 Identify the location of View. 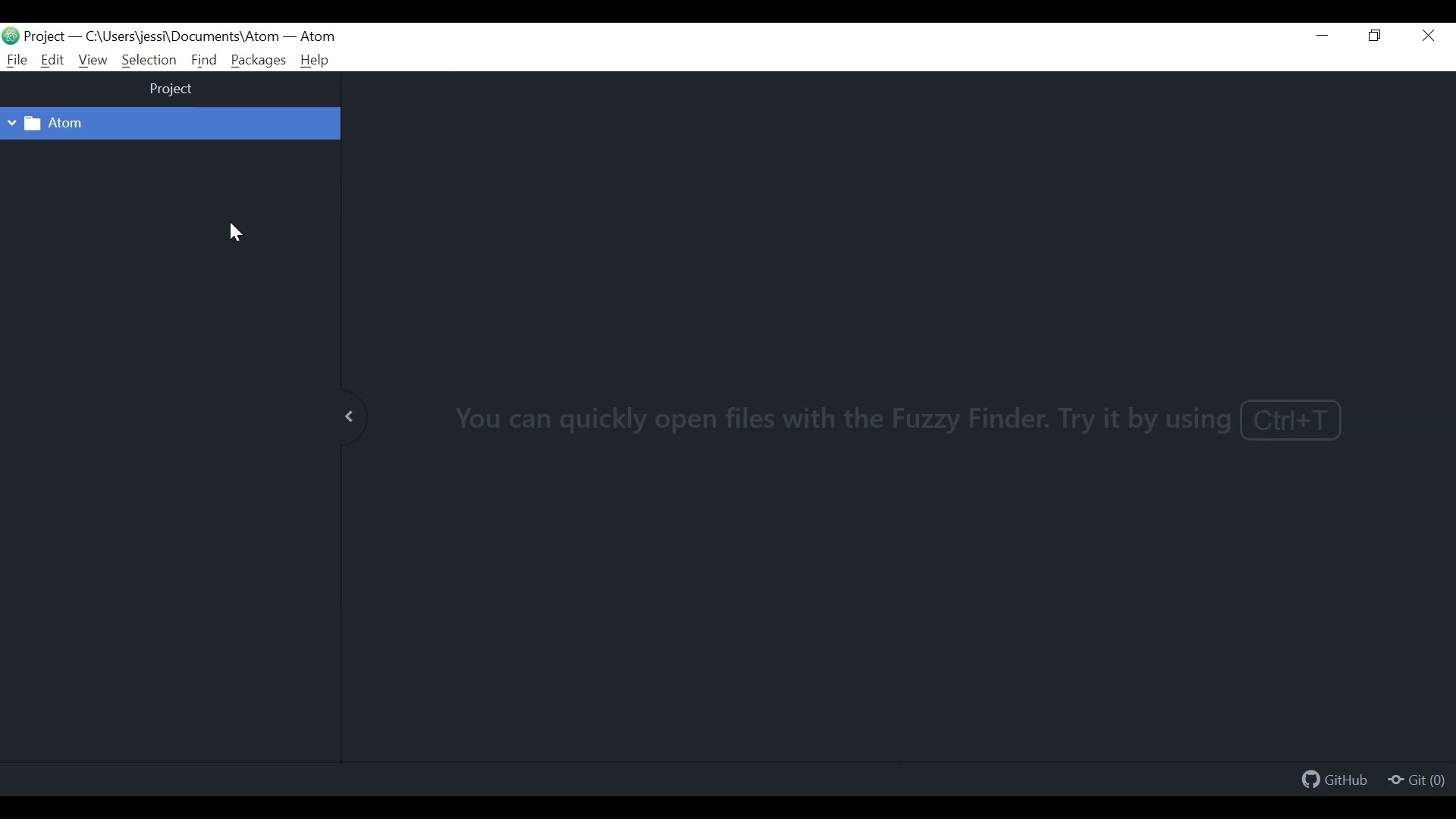
(92, 61).